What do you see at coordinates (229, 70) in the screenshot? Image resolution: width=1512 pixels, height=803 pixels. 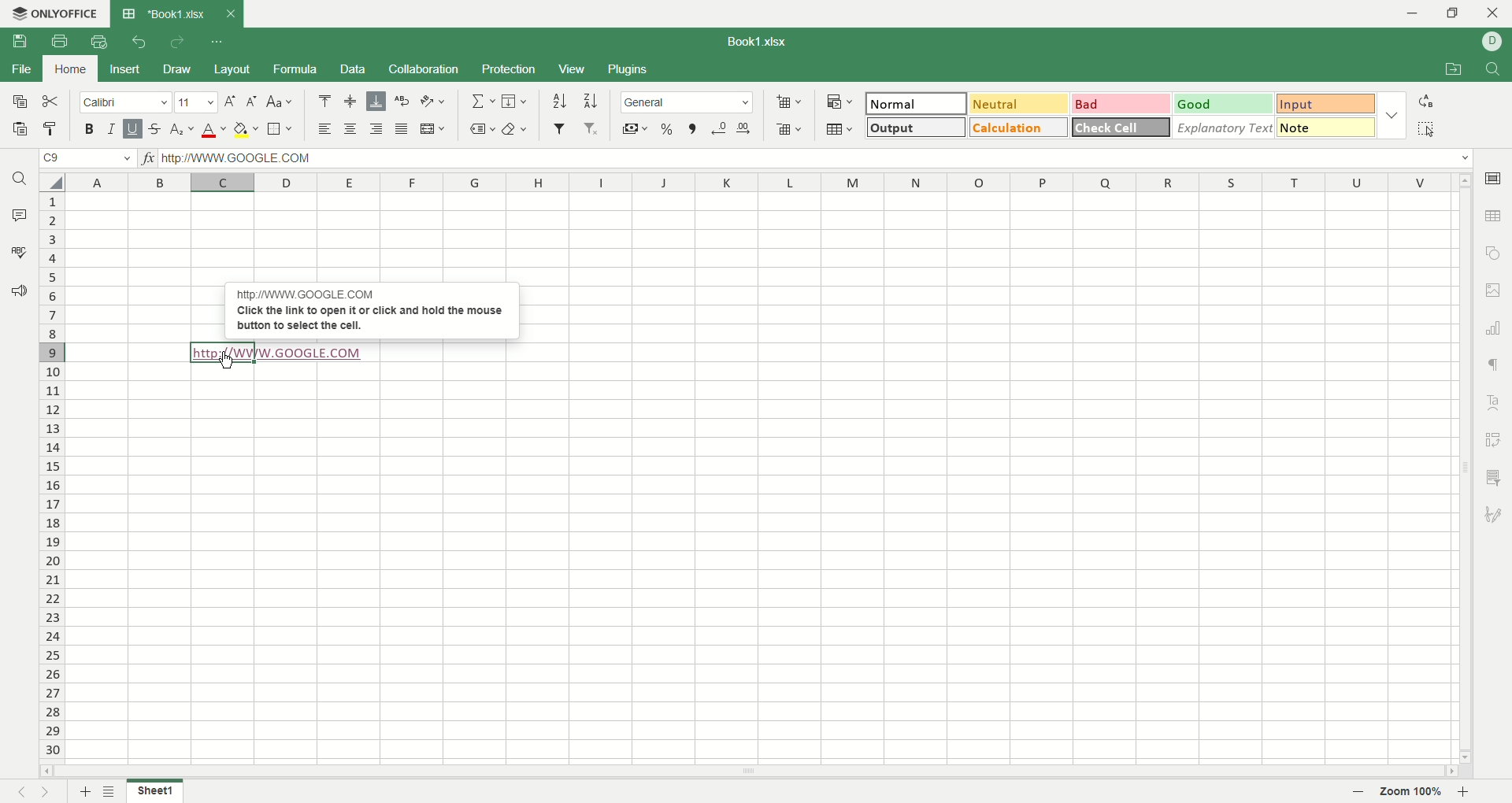 I see `layout` at bounding box center [229, 70].